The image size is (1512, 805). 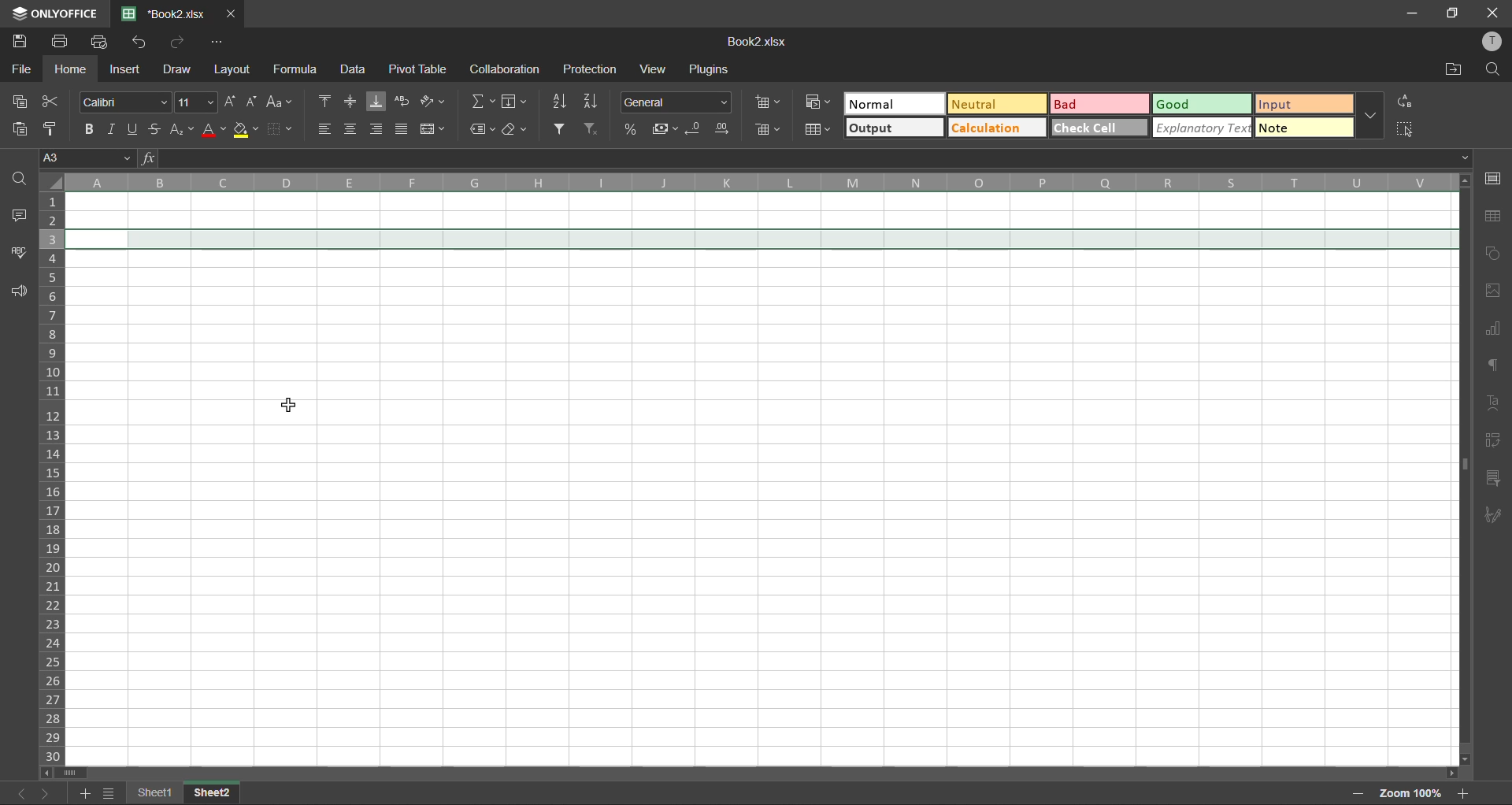 What do you see at coordinates (711, 72) in the screenshot?
I see `plugins` at bounding box center [711, 72].